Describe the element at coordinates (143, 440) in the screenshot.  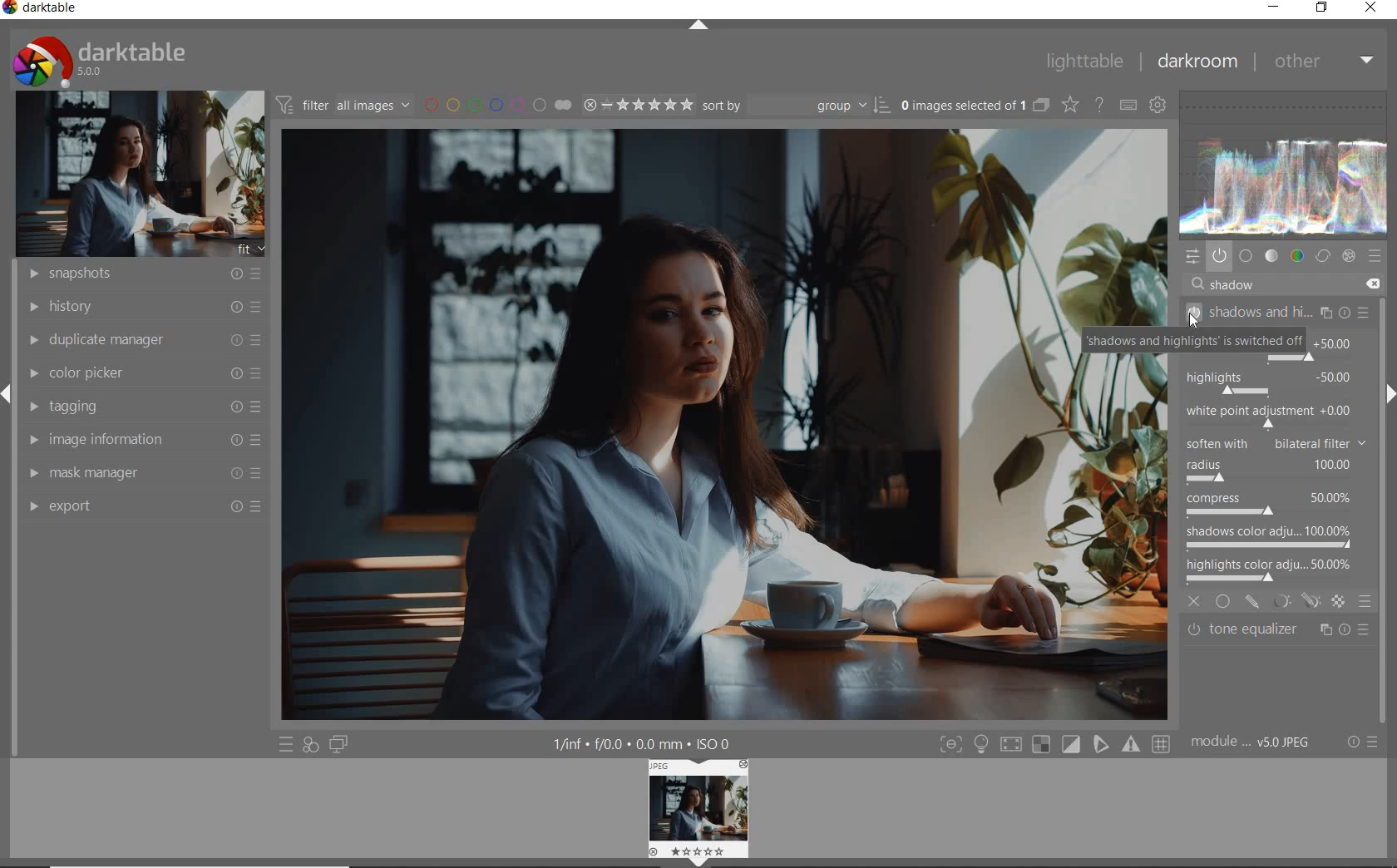
I see `image information` at that location.